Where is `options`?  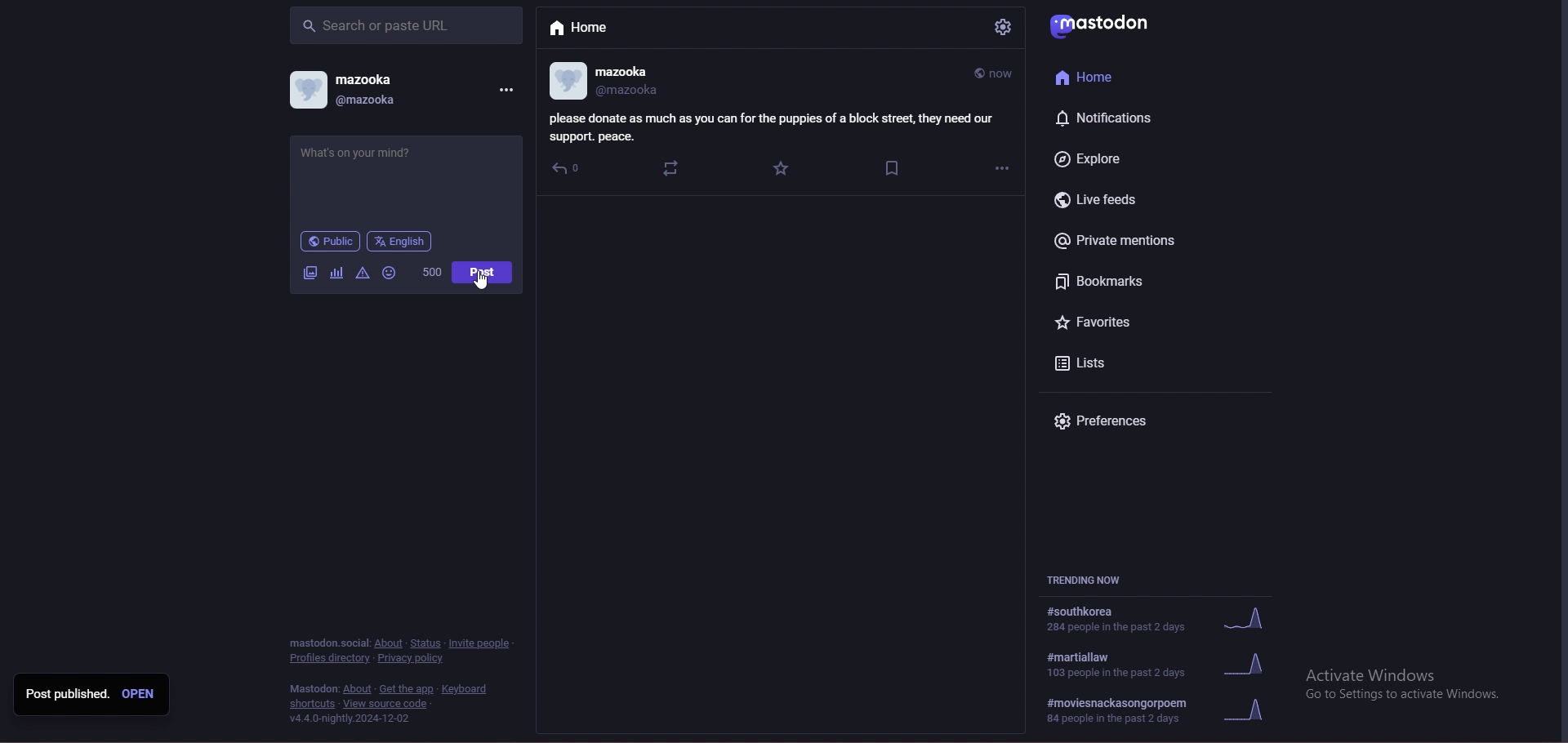 options is located at coordinates (996, 168).